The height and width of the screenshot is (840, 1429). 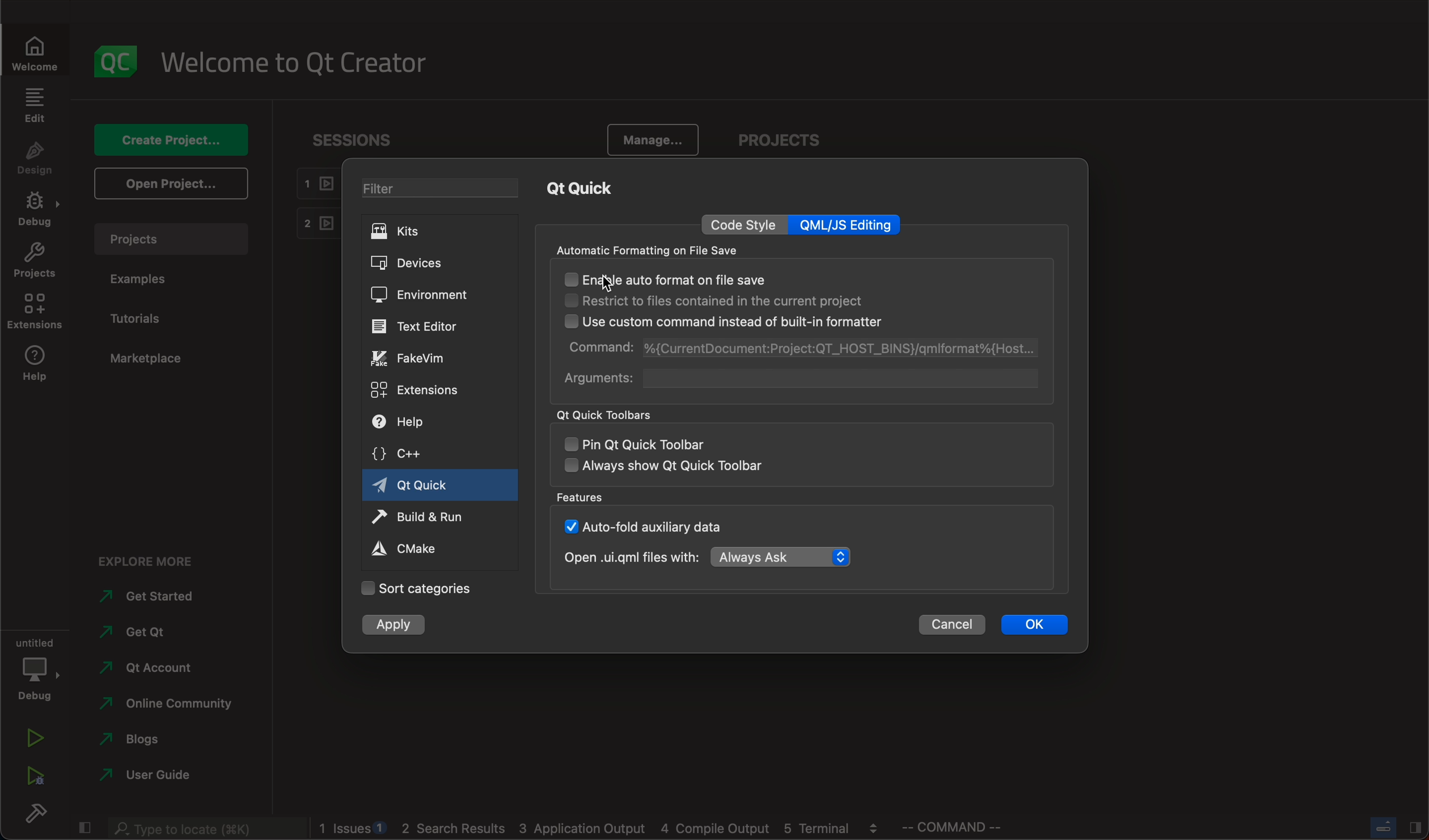 I want to click on devices, so click(x=433, y=264).